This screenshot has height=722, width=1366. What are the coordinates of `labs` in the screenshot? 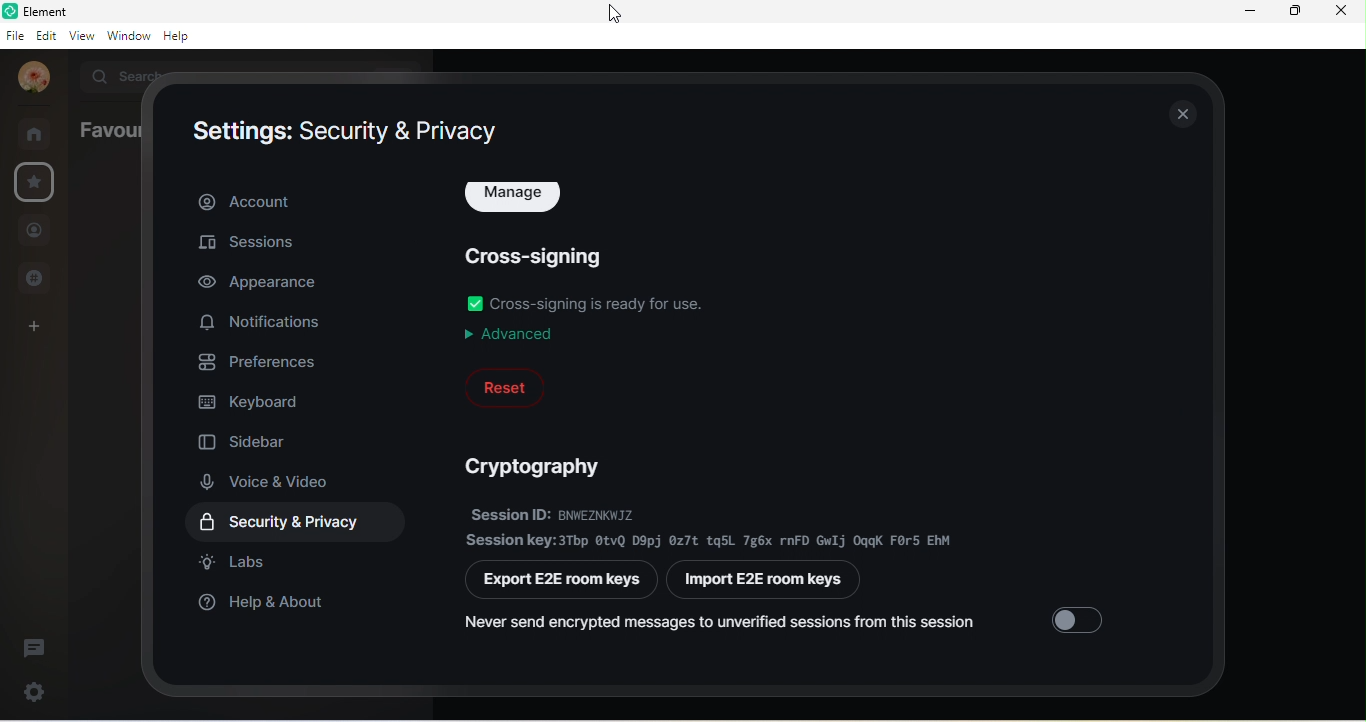 It's located at (237, 562).